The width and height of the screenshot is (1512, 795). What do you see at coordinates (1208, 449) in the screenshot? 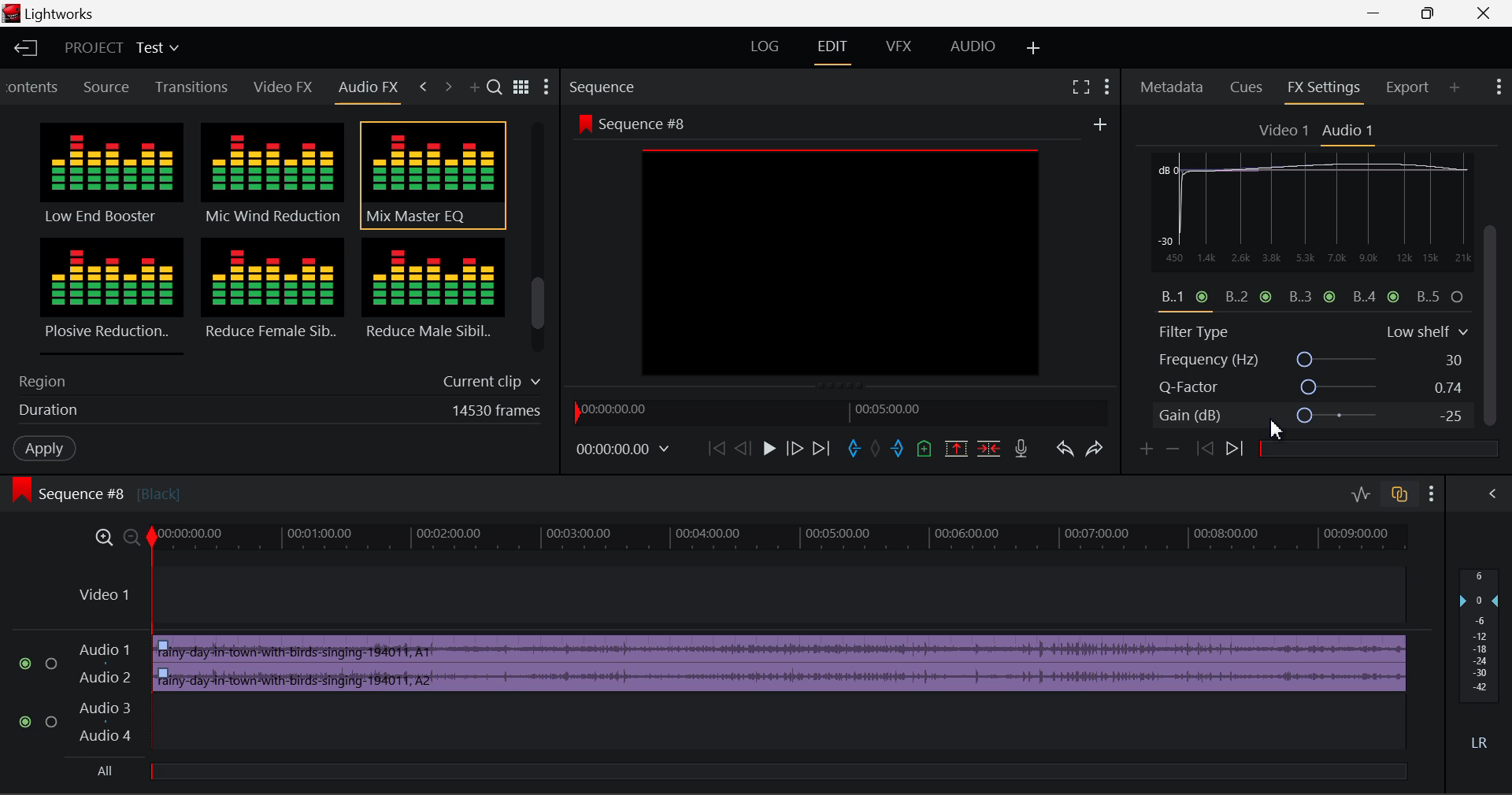
I see `Previous keyframe` at bounding box center [1208, 449].